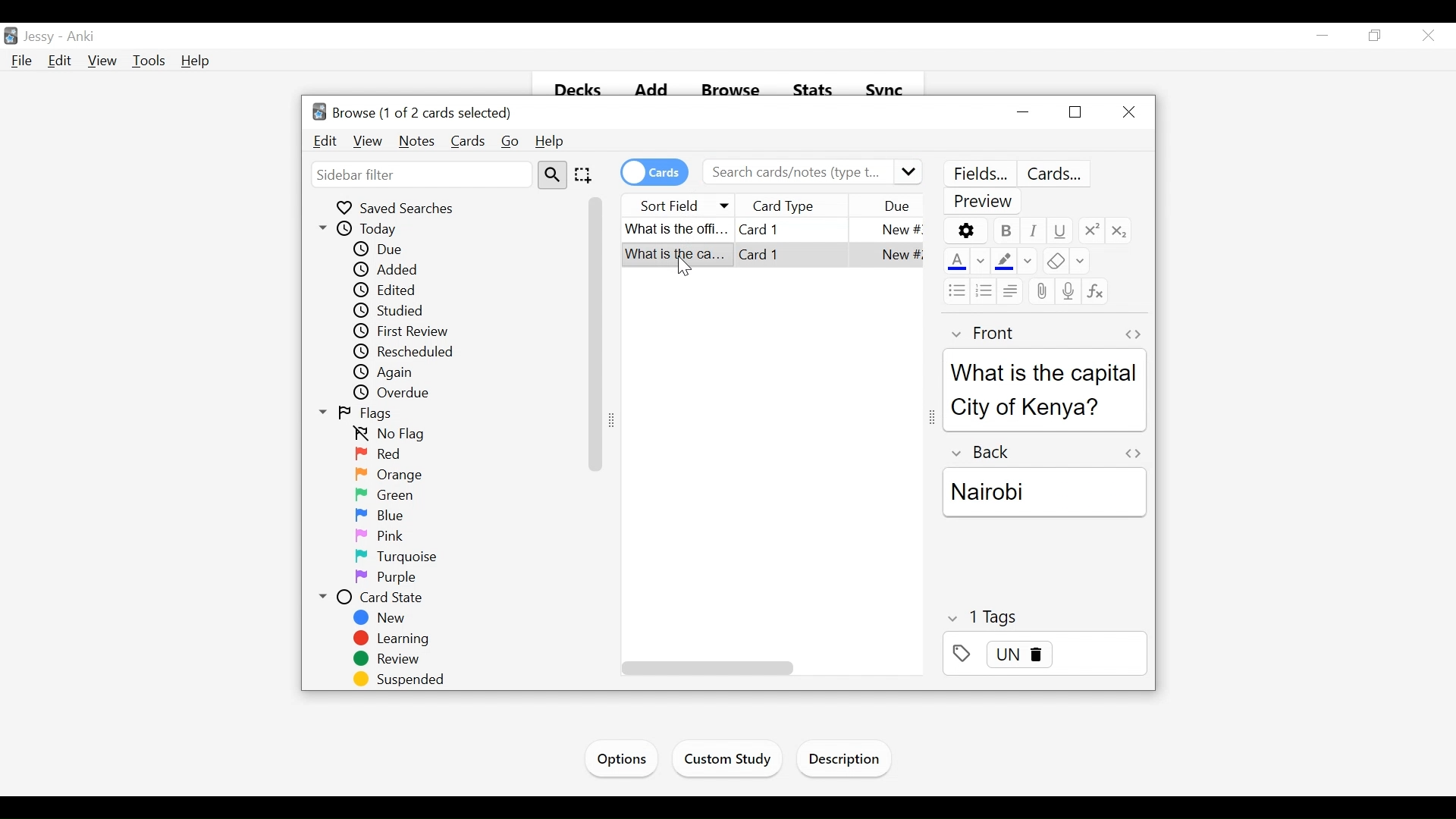 Image resolution: width=1456 pixels, height=819 pixels. Describe the element at coordinates (811, 172) in the screenshot. I see `Search cards/notes` at that location.